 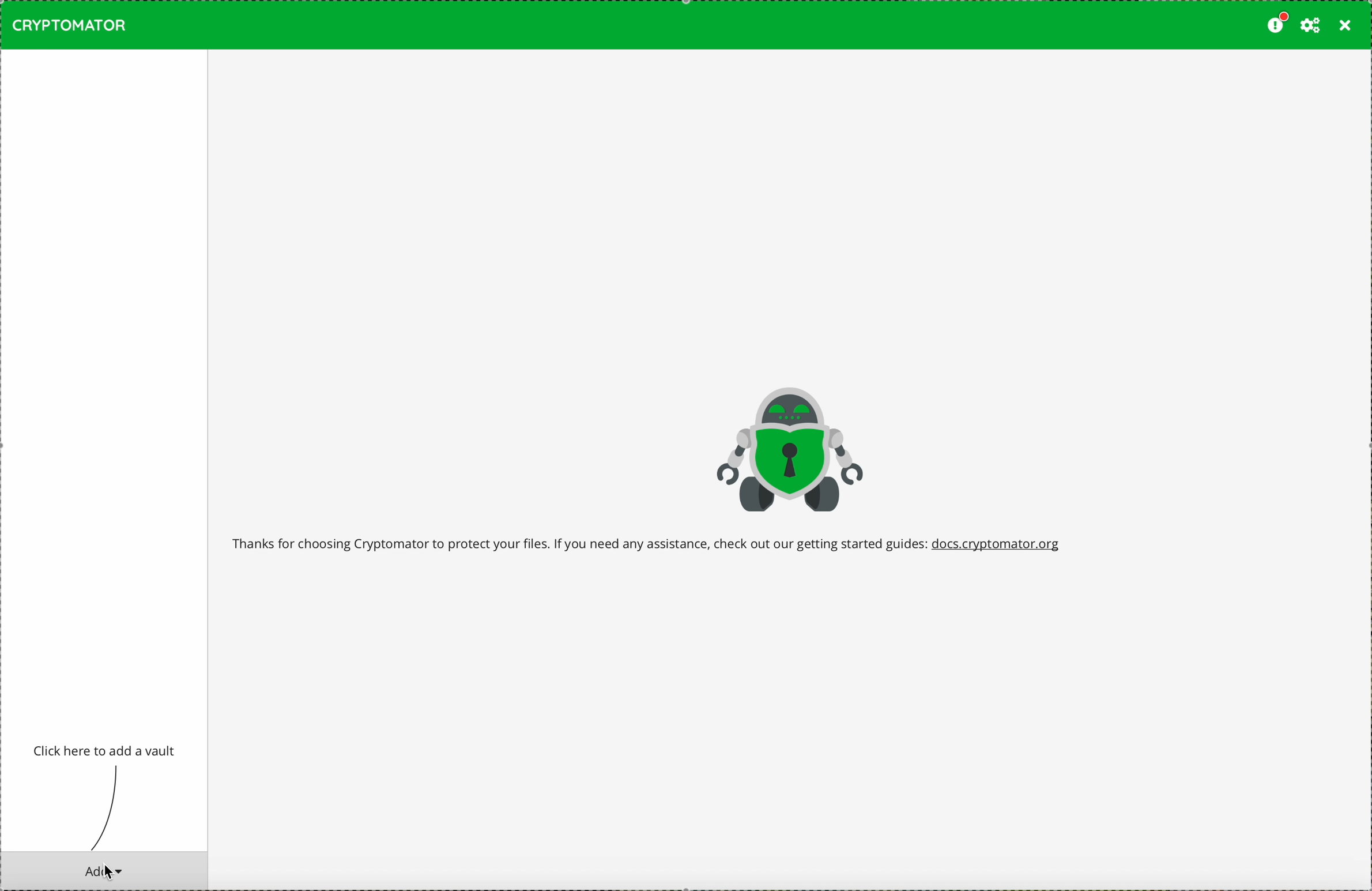 I want to click on please consider donating, so click(x=1276, y=24).